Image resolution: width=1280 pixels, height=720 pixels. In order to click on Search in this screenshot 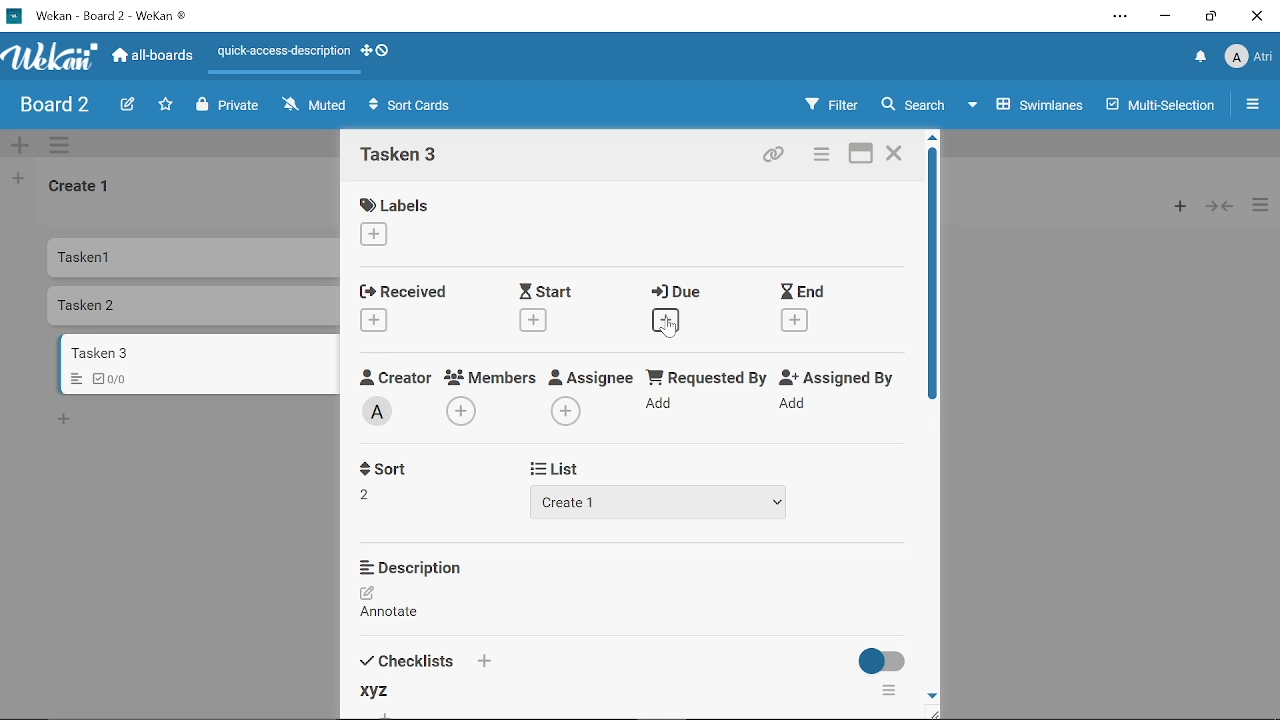, I will do `click(913, 105)`.